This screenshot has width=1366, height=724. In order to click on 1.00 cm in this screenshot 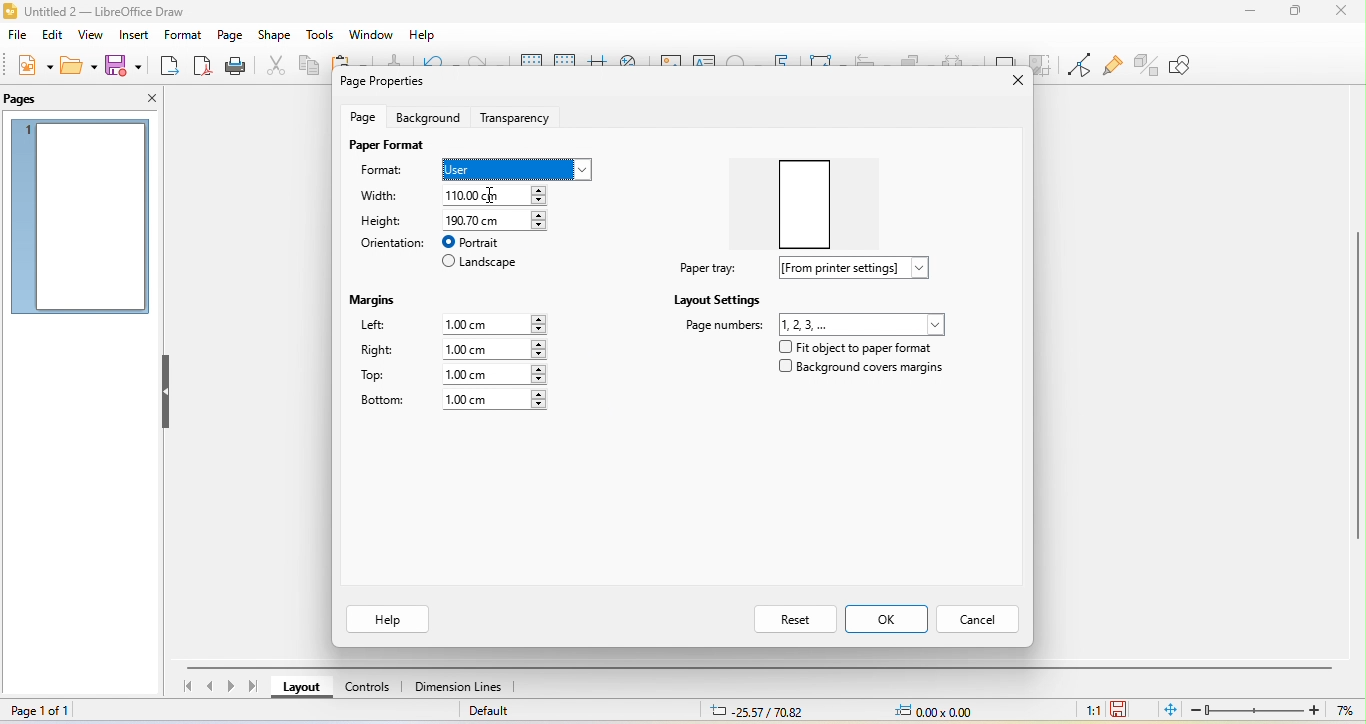, I will do `click(495, 400)`.